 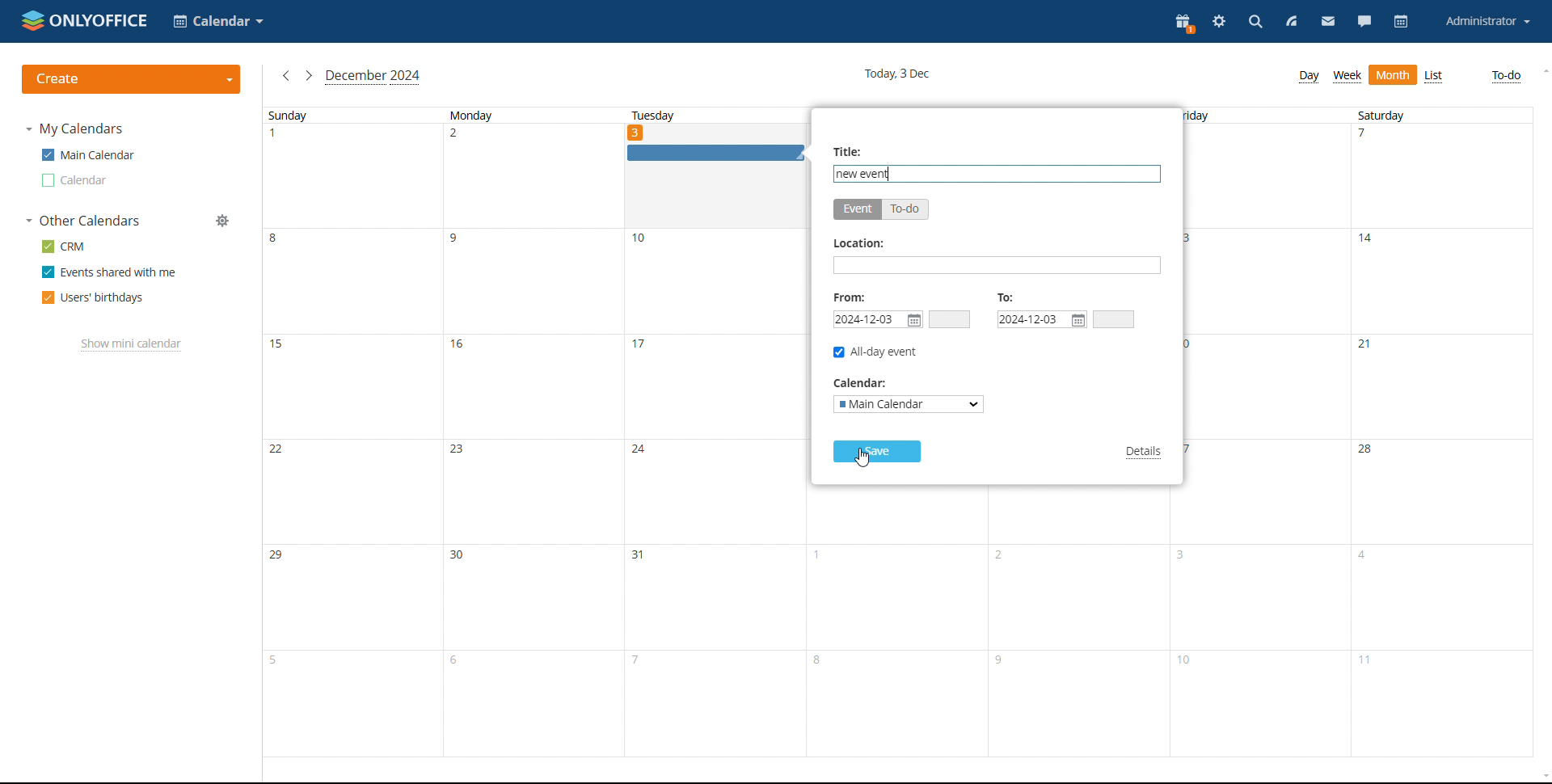 I want to click on location:, so click(x=865, y=242).